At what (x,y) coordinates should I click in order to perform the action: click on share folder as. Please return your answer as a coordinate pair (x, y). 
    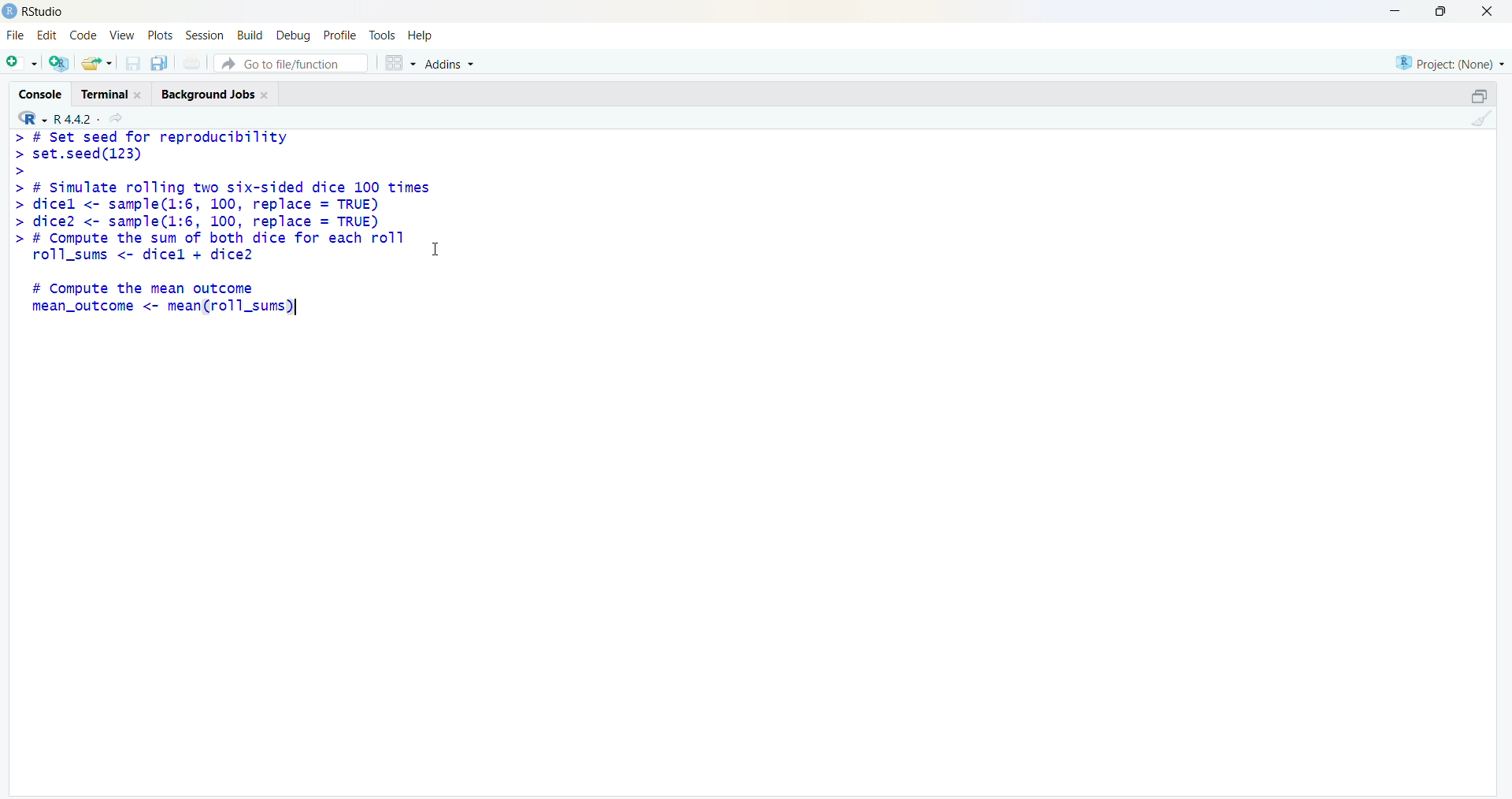
    Looking at the image, I should click on (96, 63).